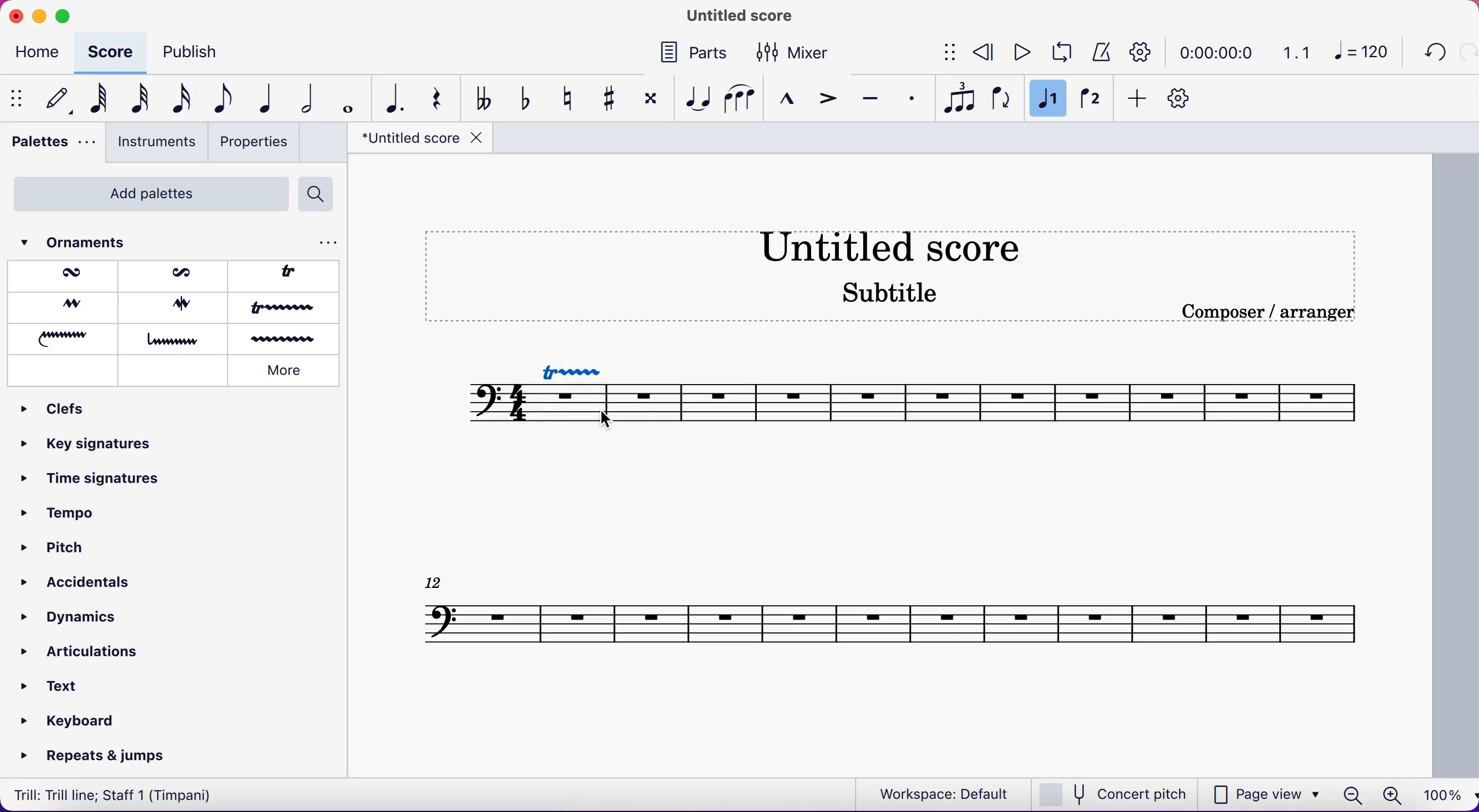  What do you see at coordinates (1220, 52) in the screenshot?
I see `time` at bounding box center [1220, 52].